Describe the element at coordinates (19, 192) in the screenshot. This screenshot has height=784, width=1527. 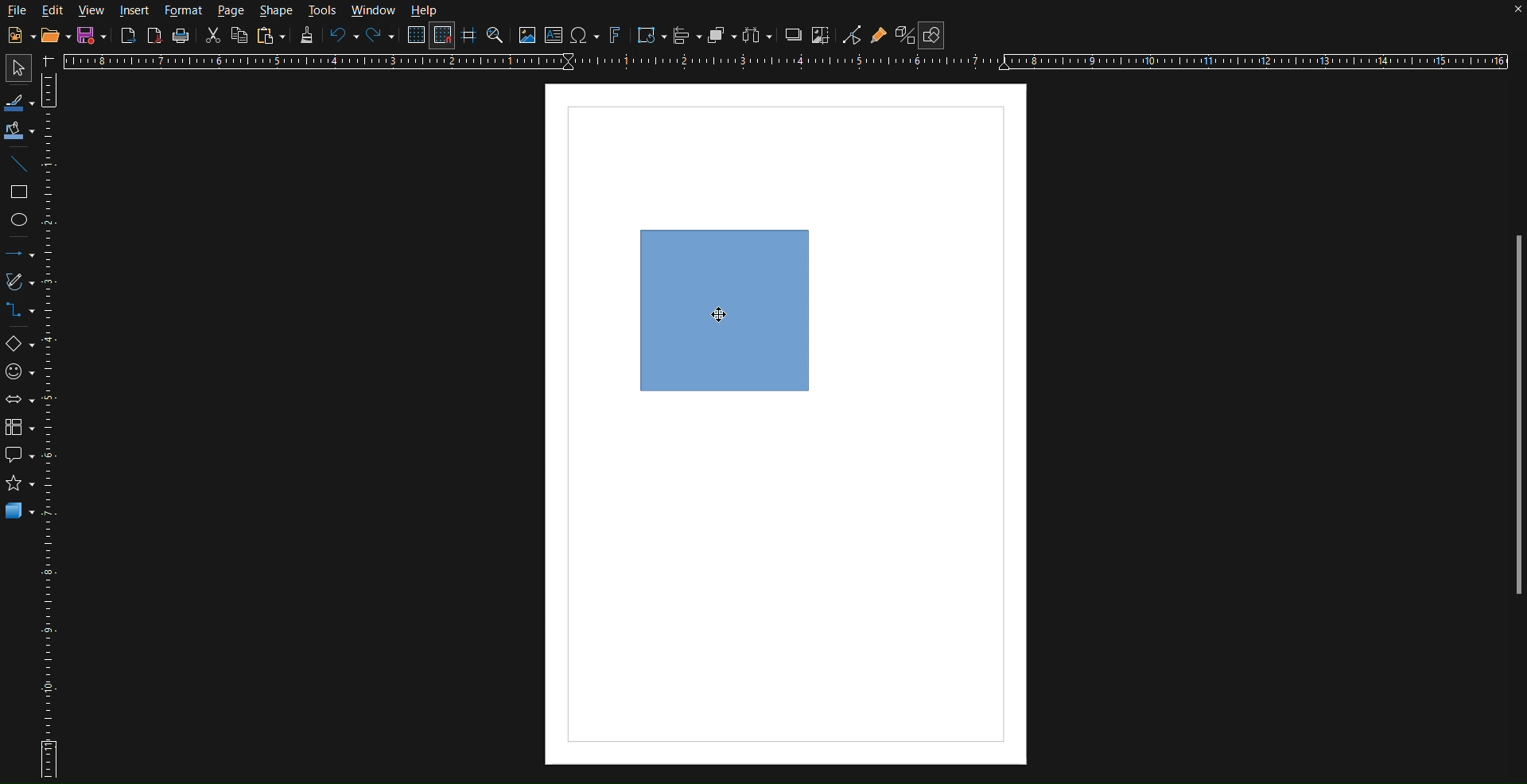
I see `Square` at that location.